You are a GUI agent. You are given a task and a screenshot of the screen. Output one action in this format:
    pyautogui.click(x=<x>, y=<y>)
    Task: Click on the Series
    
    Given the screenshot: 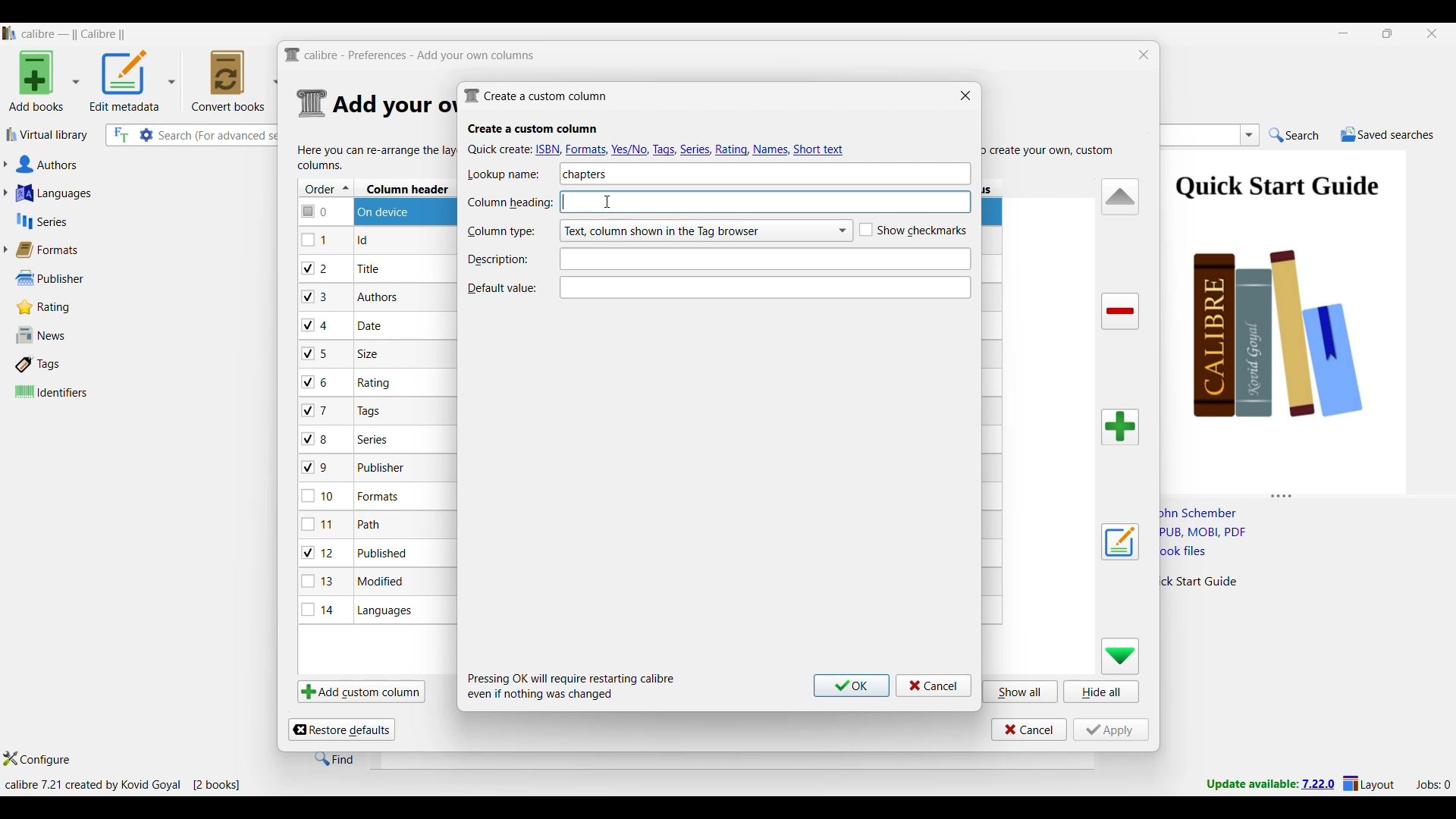 What is the action you would take?
    pyautogui.click(x=114, y=221)
    